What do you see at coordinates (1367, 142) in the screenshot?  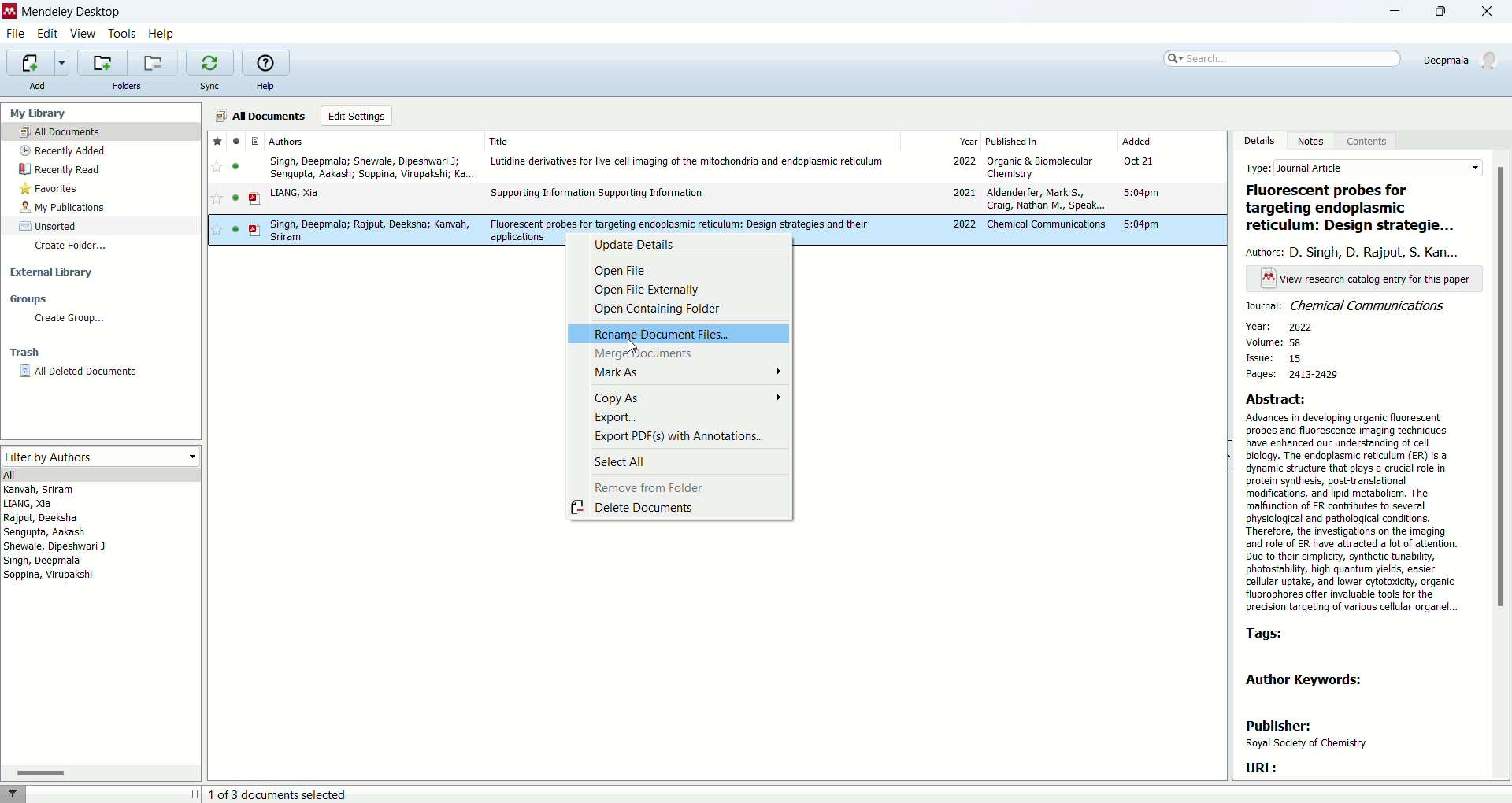 I see `content` at bounding box center [1367, 142].